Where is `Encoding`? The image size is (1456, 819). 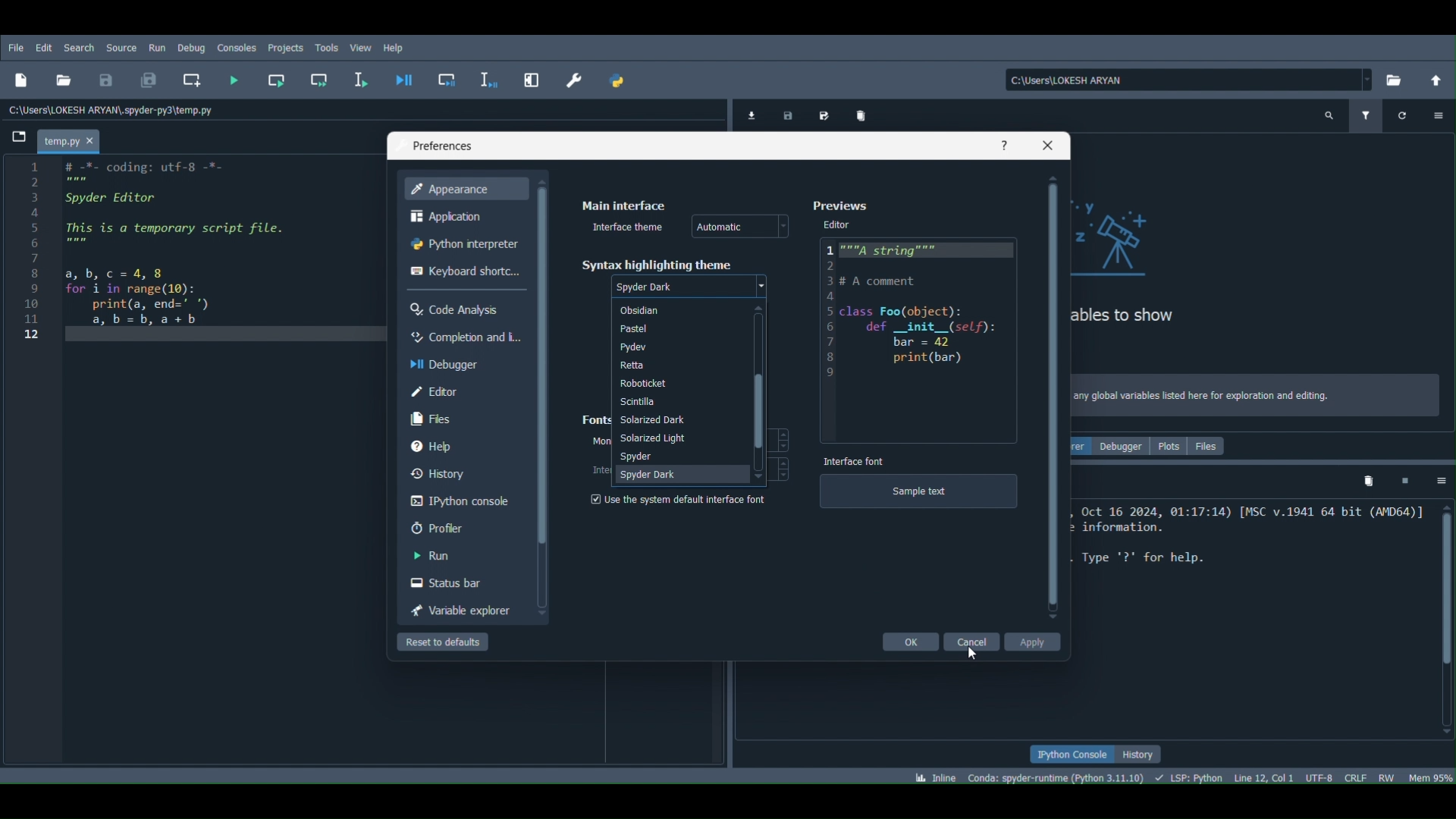
Encoding is located at coordinates (1323, 777).